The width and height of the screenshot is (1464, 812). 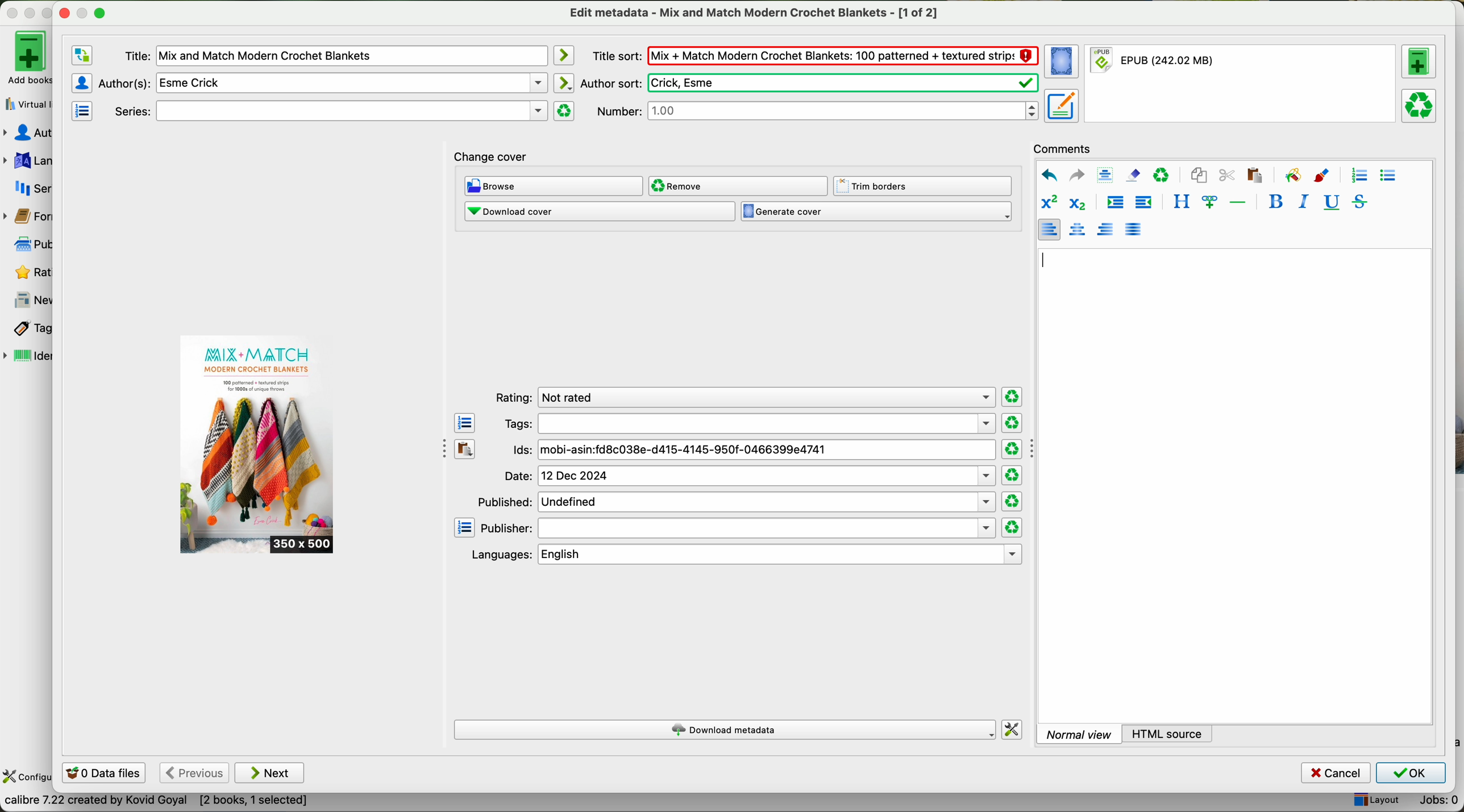 I want to click on series, so click(x=27, y=188).